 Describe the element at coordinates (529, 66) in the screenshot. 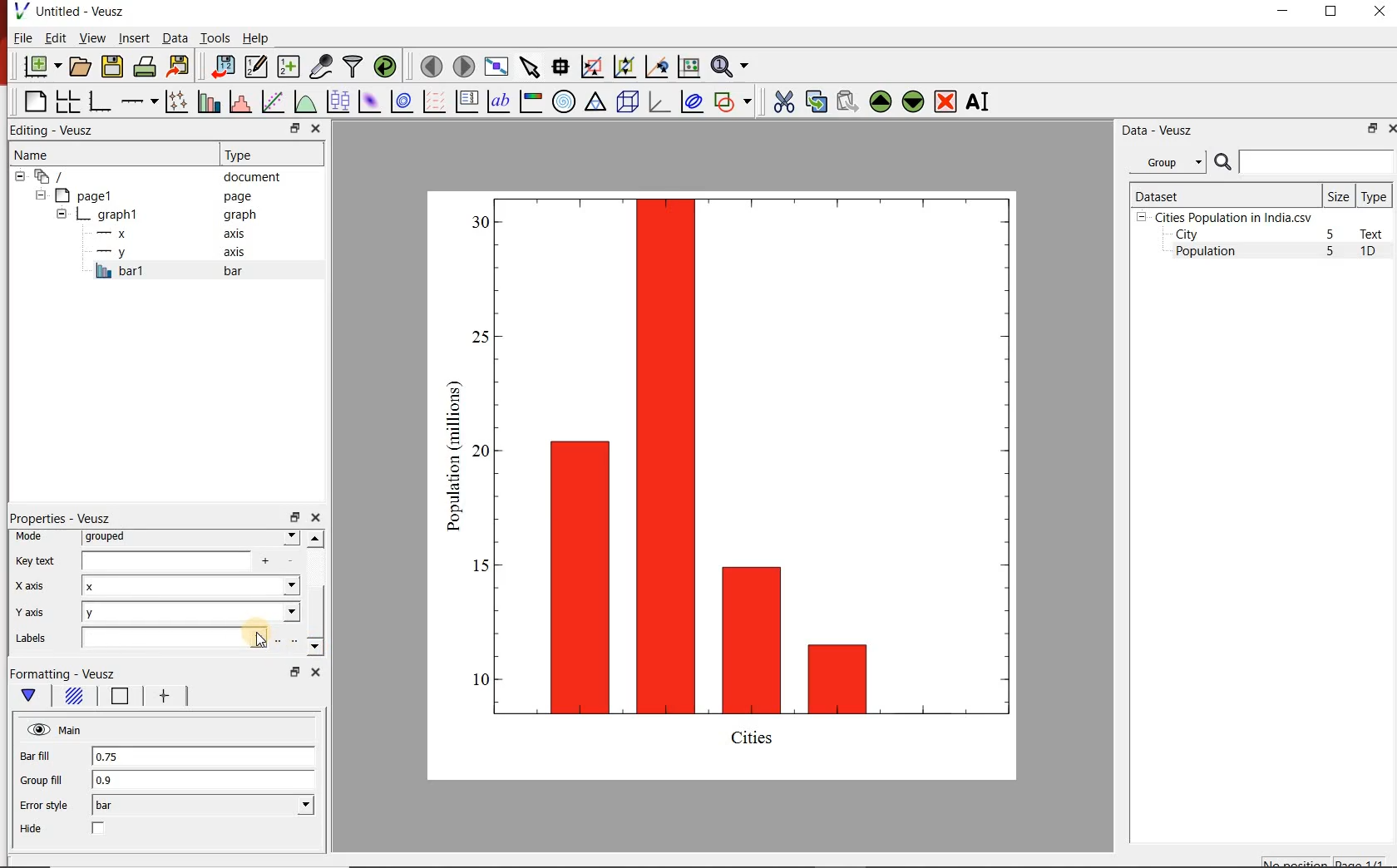

I see `select items from the graph or scroll` at that location.